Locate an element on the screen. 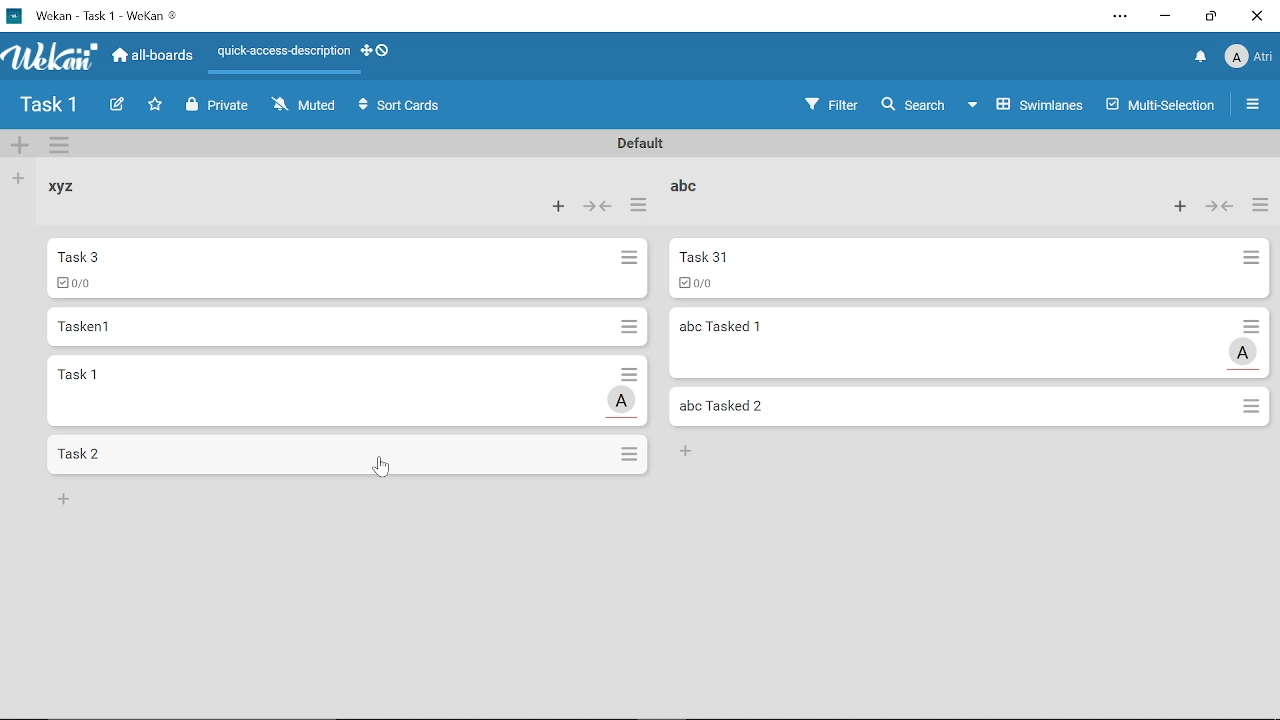 This screenshot has height=720, width=1280. Options is located at coordinates (1253, 408).